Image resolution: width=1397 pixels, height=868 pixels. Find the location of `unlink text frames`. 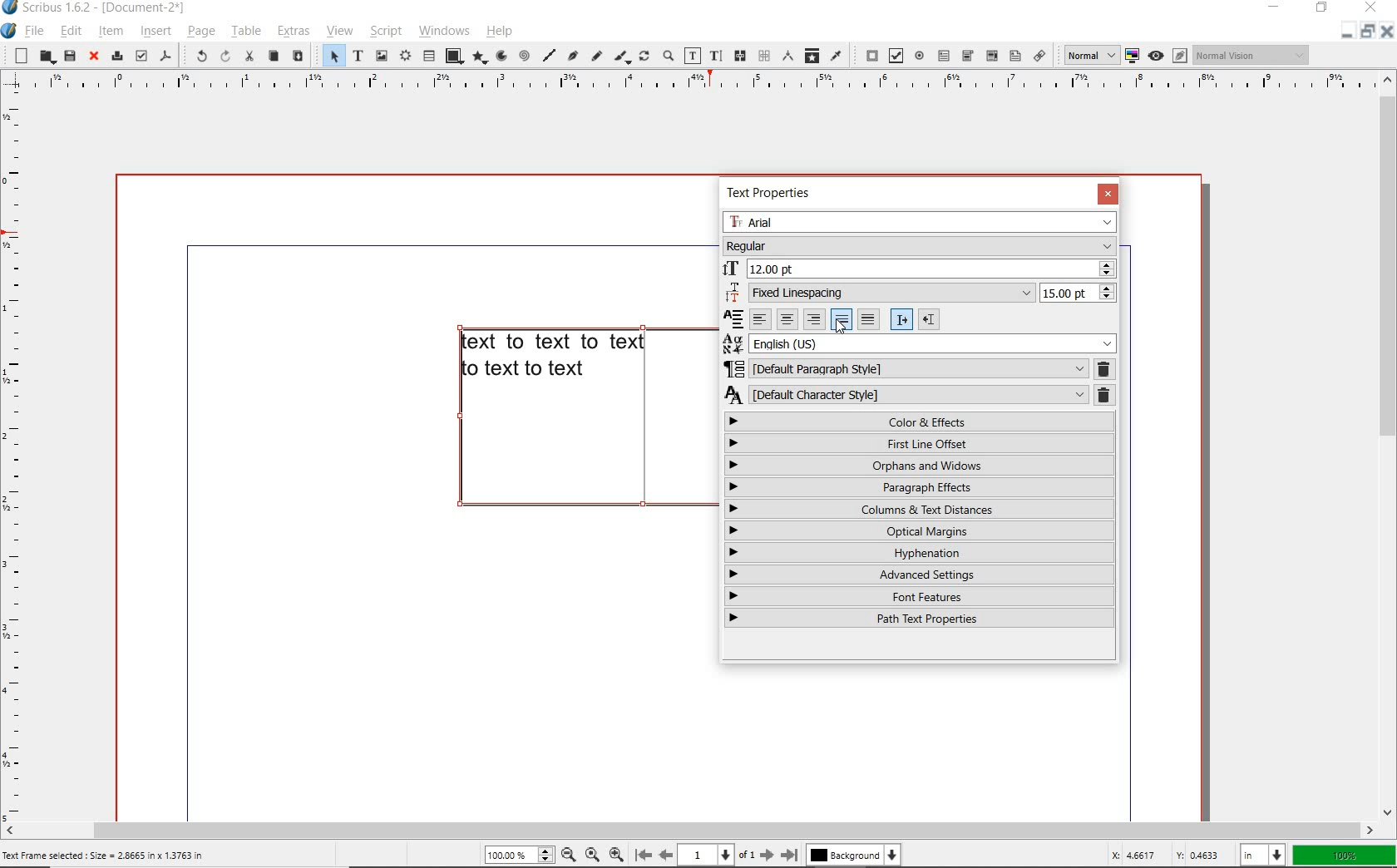

unlink text frames is located at coordinates (763, 57).